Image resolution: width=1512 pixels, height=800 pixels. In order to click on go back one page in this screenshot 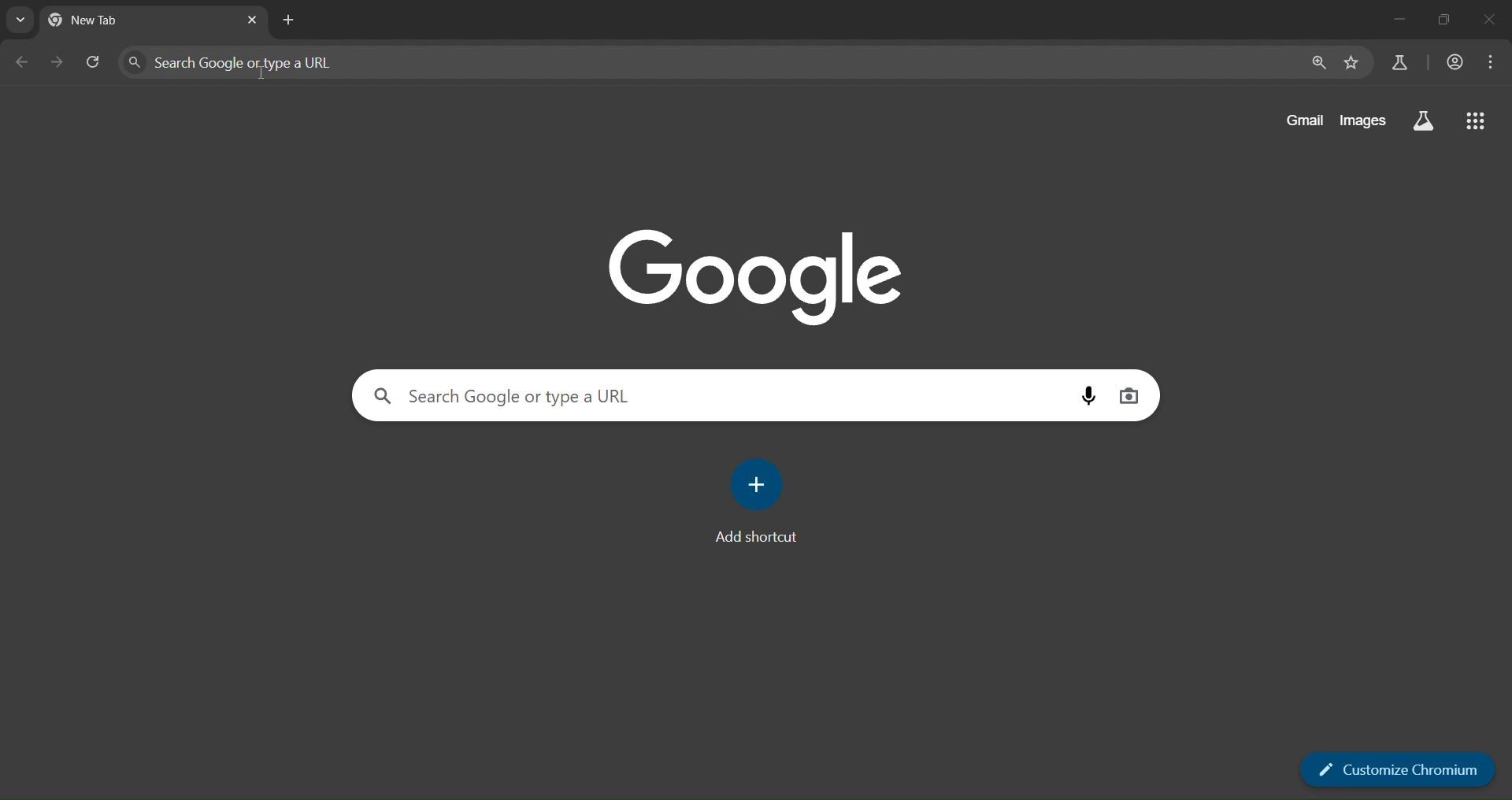, I will do `click(24, 61)`.